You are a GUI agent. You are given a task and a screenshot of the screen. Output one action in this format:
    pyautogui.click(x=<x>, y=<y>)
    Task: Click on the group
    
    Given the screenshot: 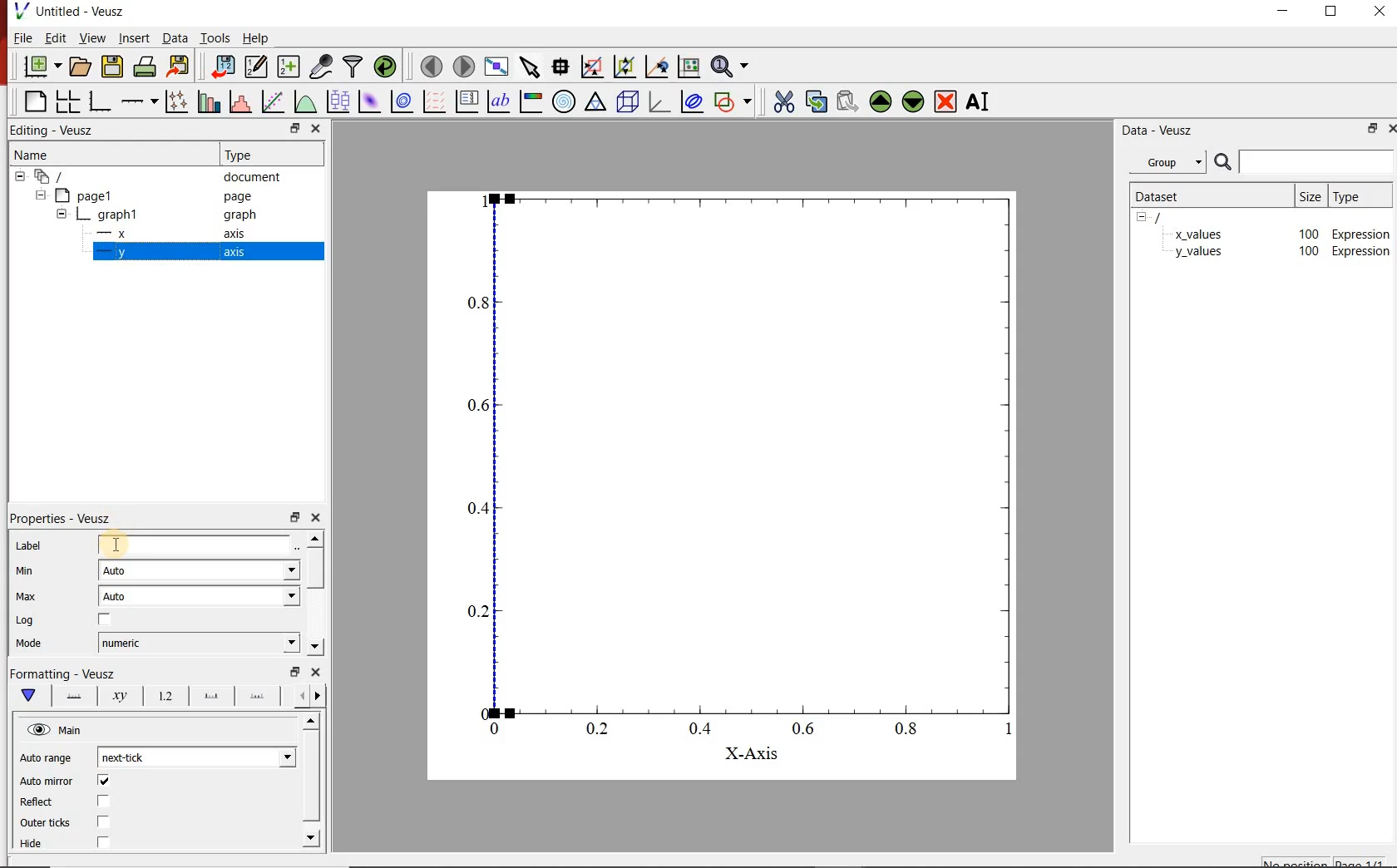 What is the action you would take?
    pyautogui.click(x=1165, y=162)
    